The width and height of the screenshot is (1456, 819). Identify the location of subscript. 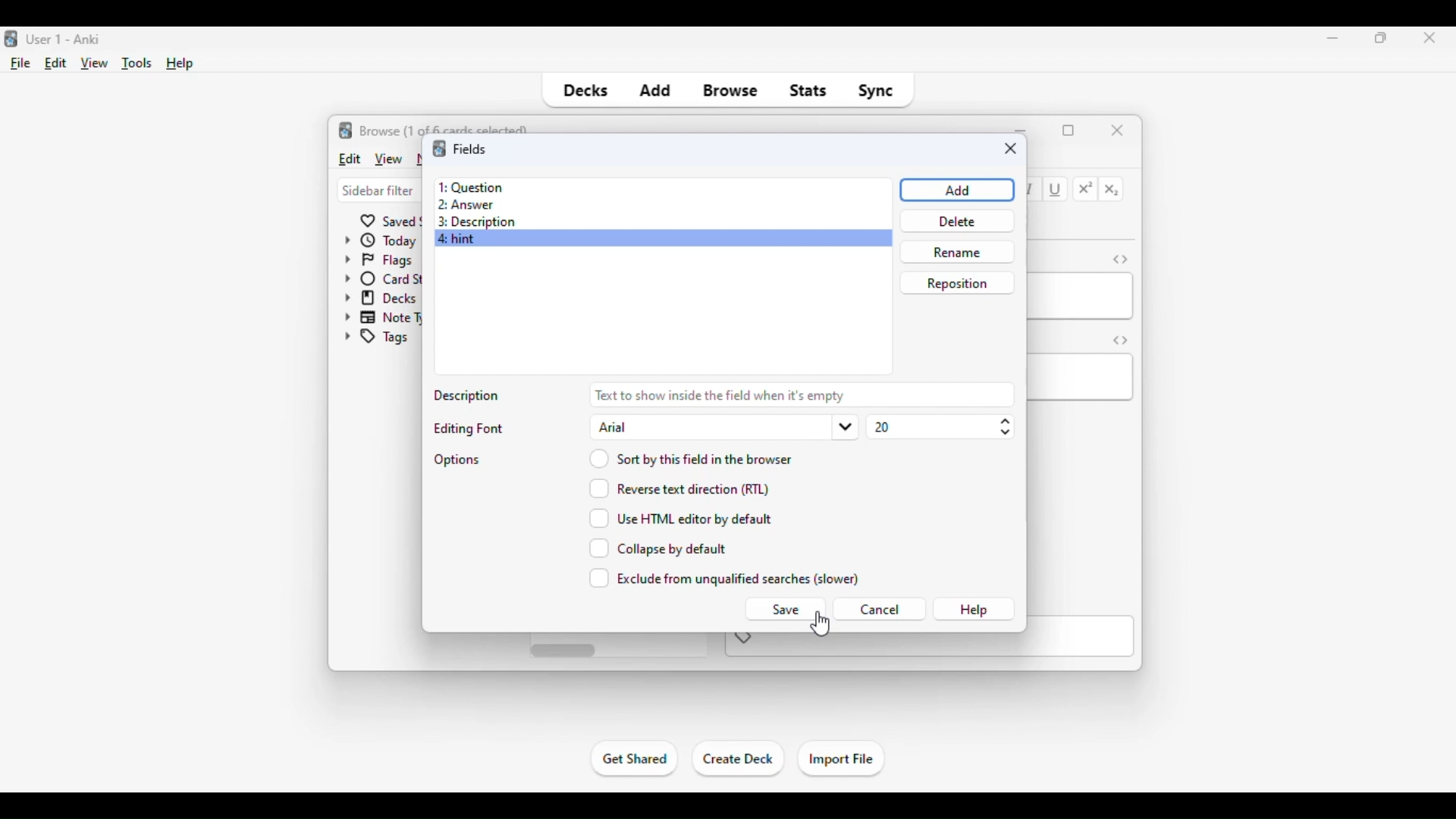
(1112, 190).